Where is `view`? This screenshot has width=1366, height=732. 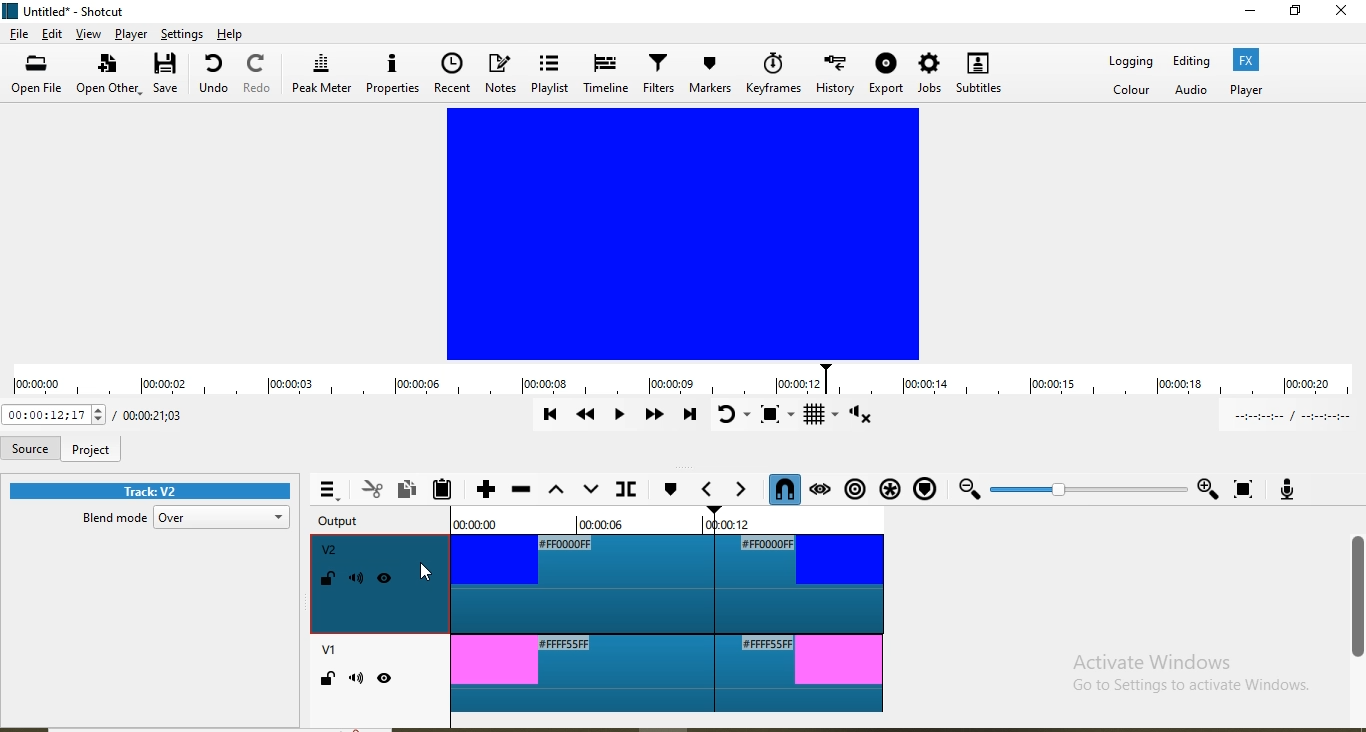 view is located at coordinates (87, 35).